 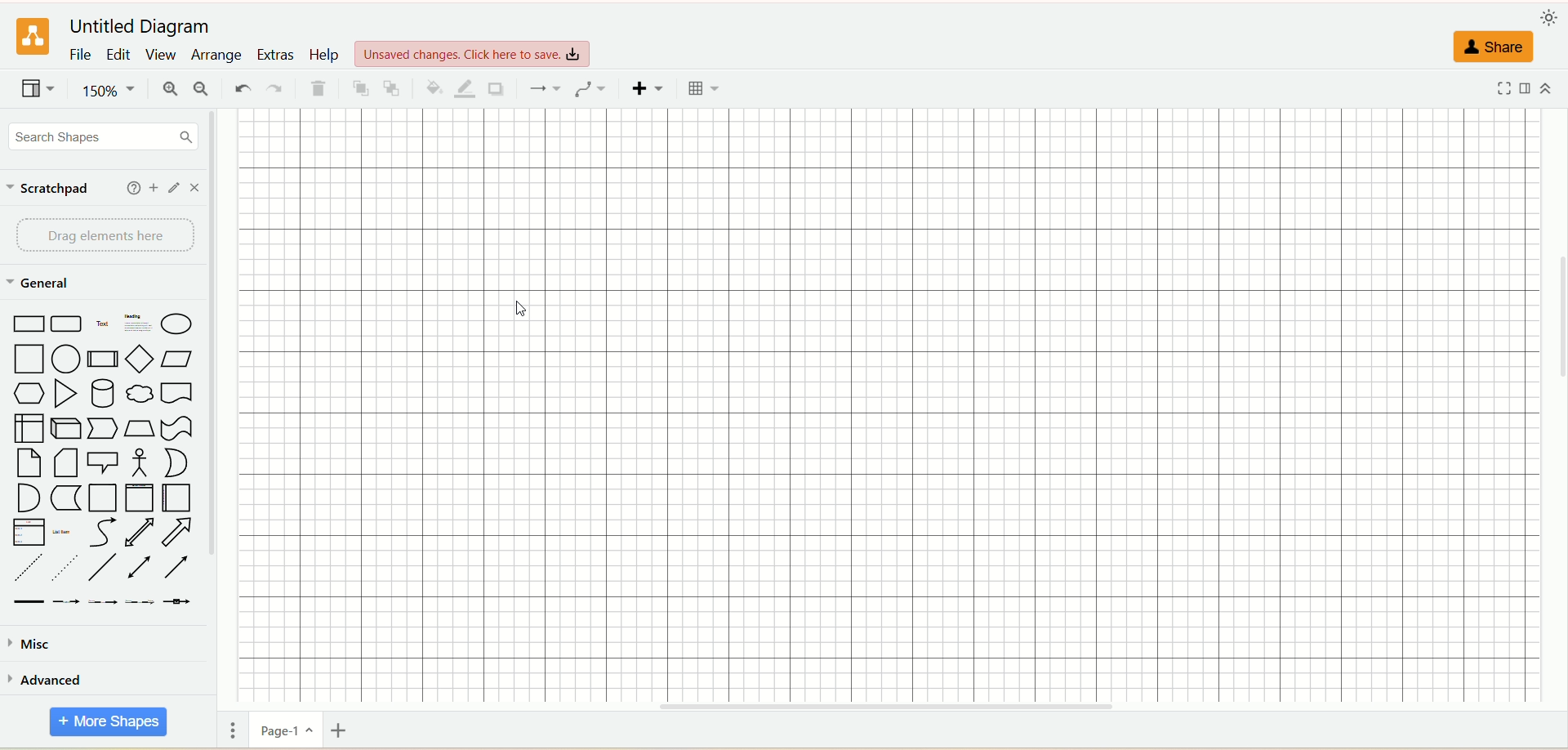 What do you see at coordinates (202, 90) in the screenshot?
I see `zoom out` at bounding box center [202, 90].